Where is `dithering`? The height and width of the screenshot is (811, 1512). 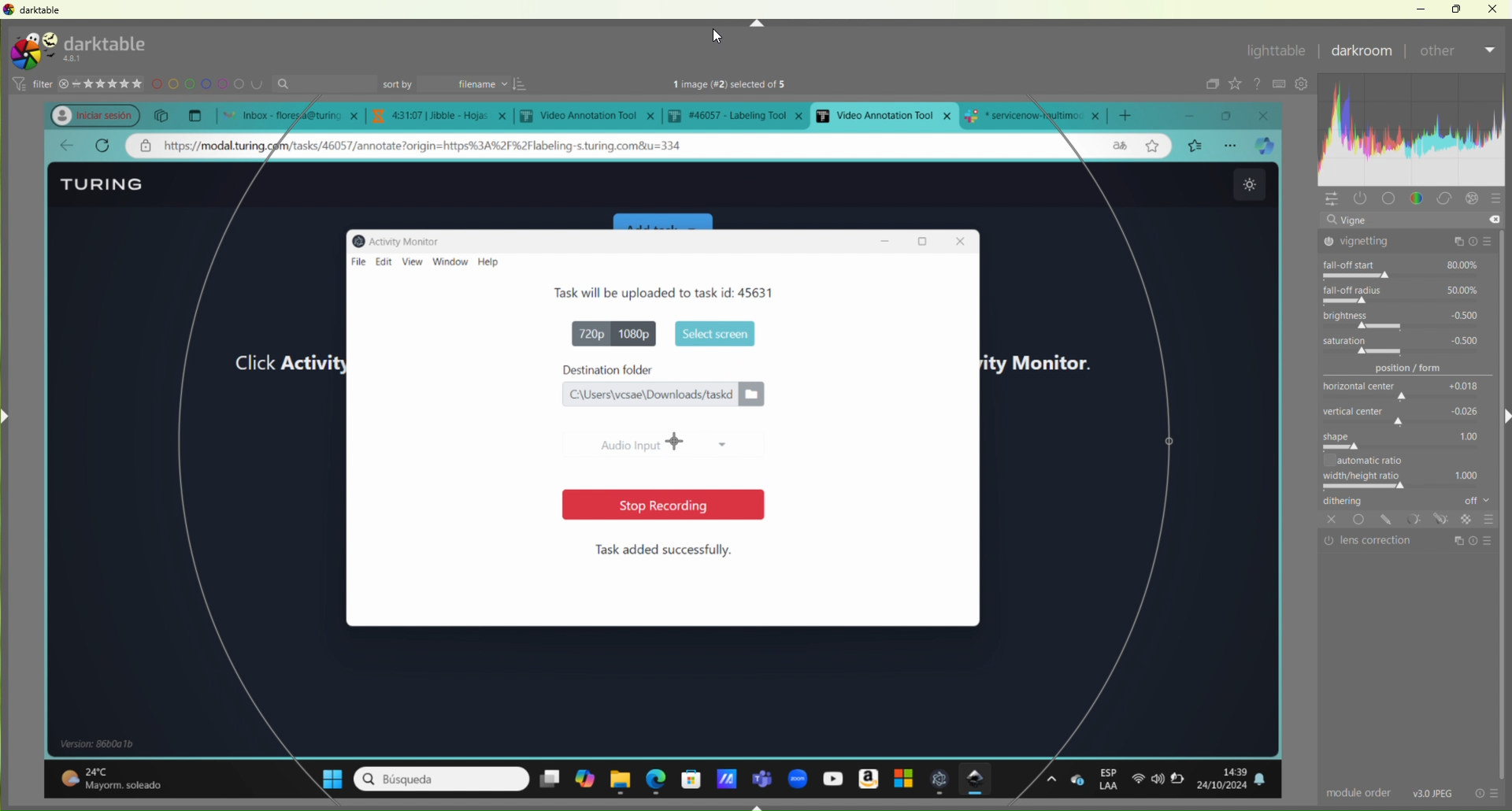 dithering is located at coordinates (1402, 501).